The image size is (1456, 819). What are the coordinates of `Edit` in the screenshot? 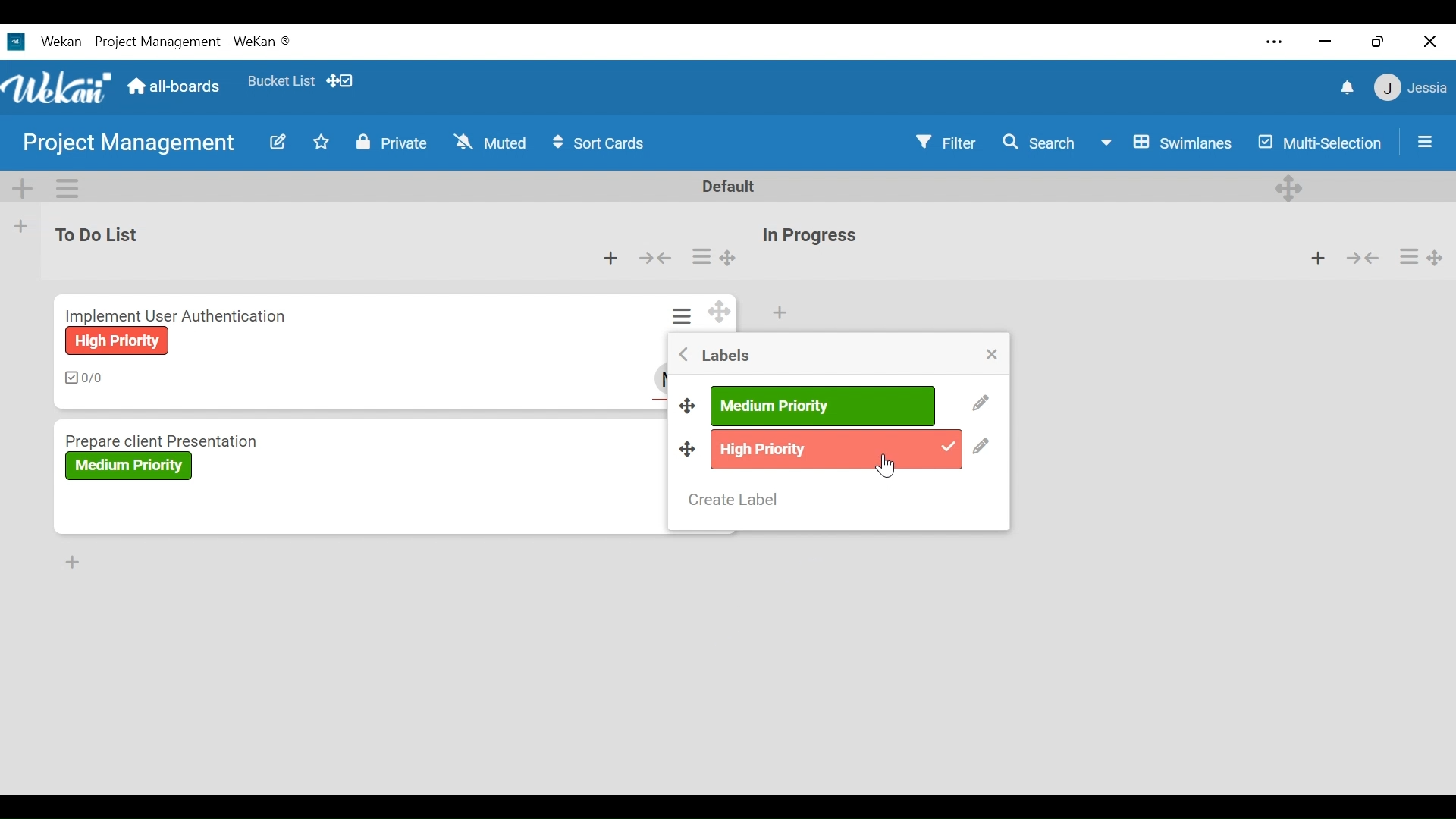 It's located at (278, 142).